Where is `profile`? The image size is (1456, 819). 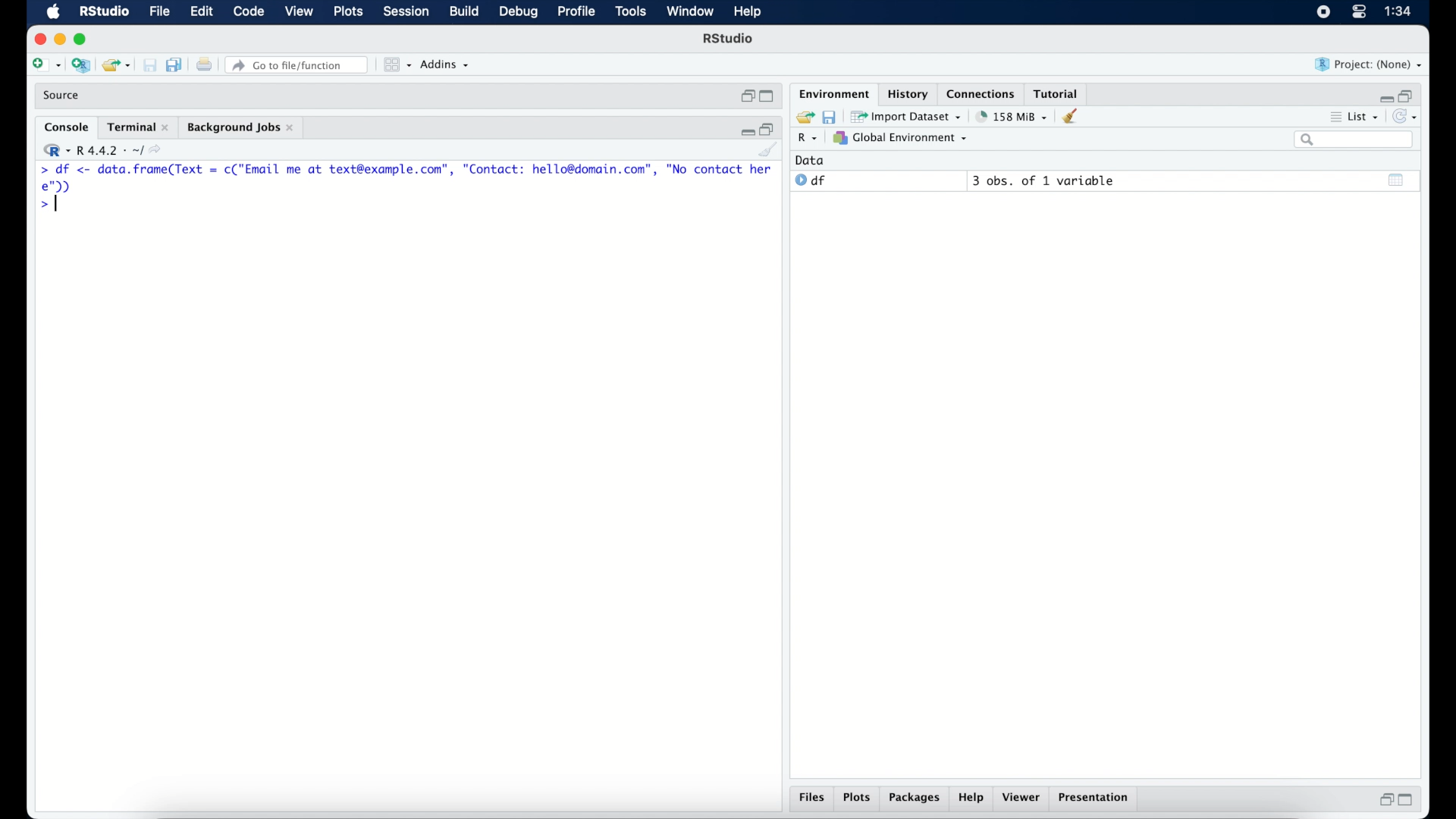
profile is located at coordinates (576, 12).